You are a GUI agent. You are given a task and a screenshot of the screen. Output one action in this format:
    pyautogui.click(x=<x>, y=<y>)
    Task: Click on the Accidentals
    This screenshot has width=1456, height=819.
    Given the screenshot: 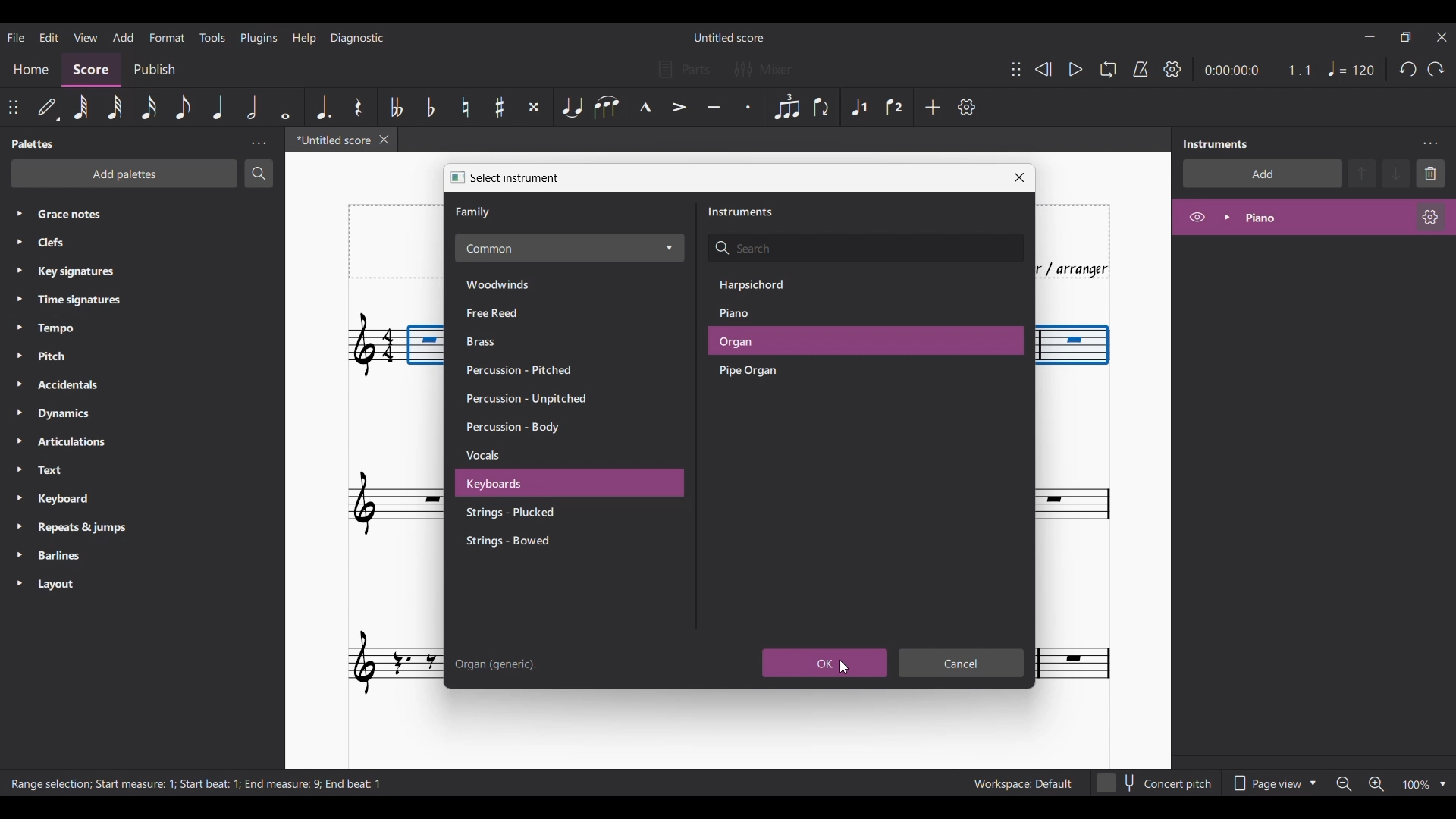 What is the action you would take?
    pyautogui.click(x=90, y=386)
    